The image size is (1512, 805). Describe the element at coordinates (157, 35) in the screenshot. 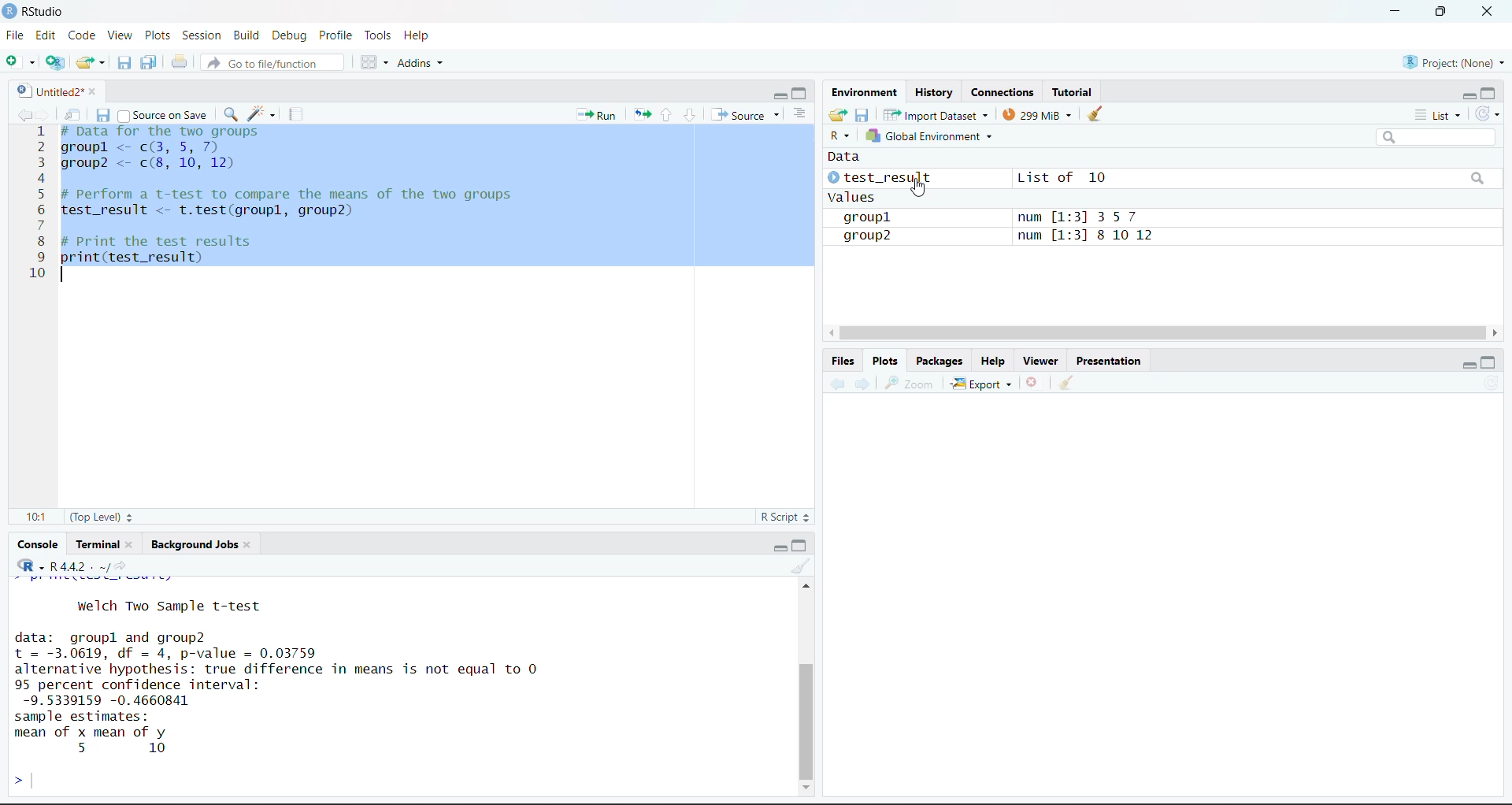

I see `Plots` at that location.